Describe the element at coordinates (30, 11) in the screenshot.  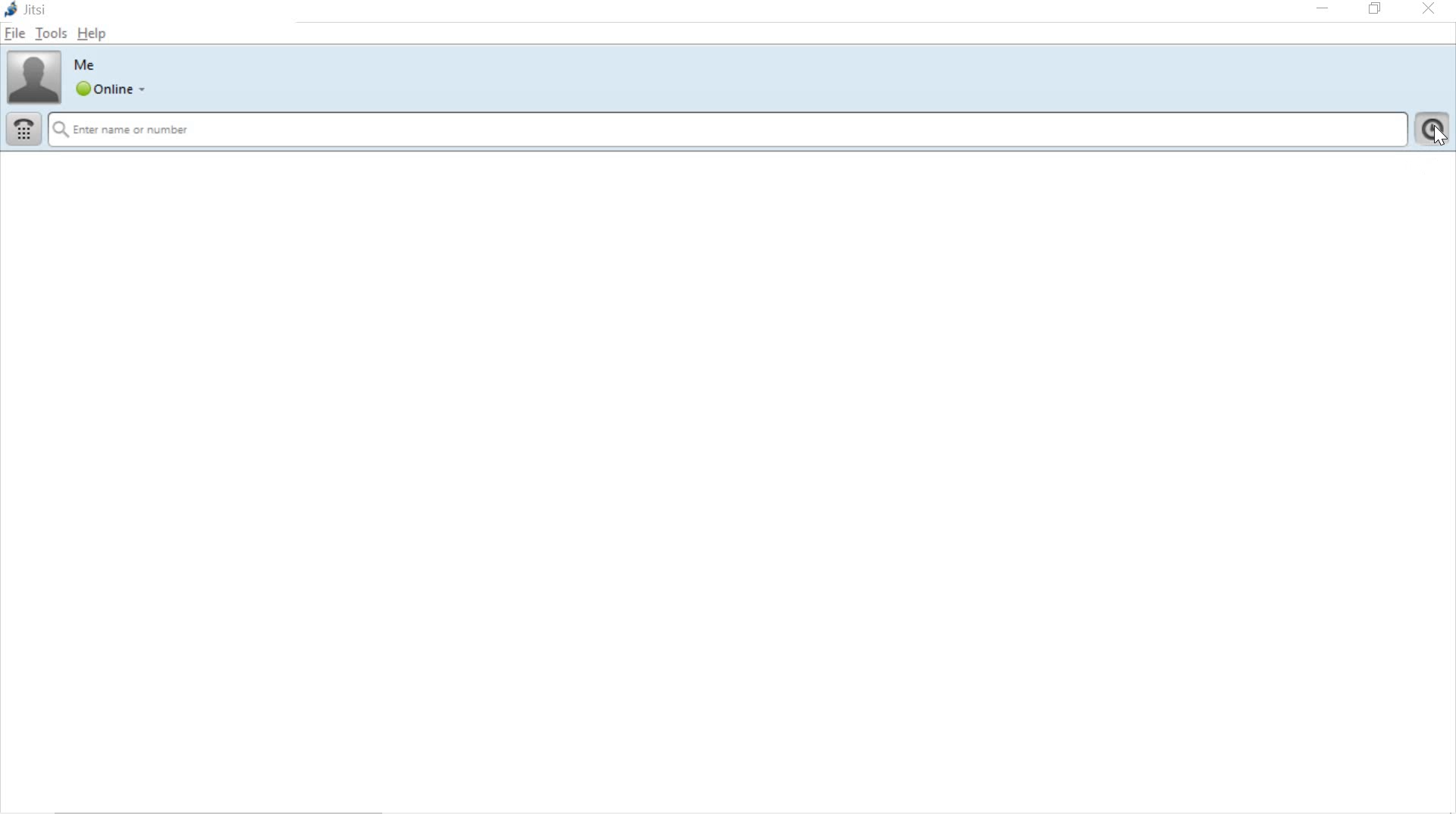
I see `jitsi` at that location.